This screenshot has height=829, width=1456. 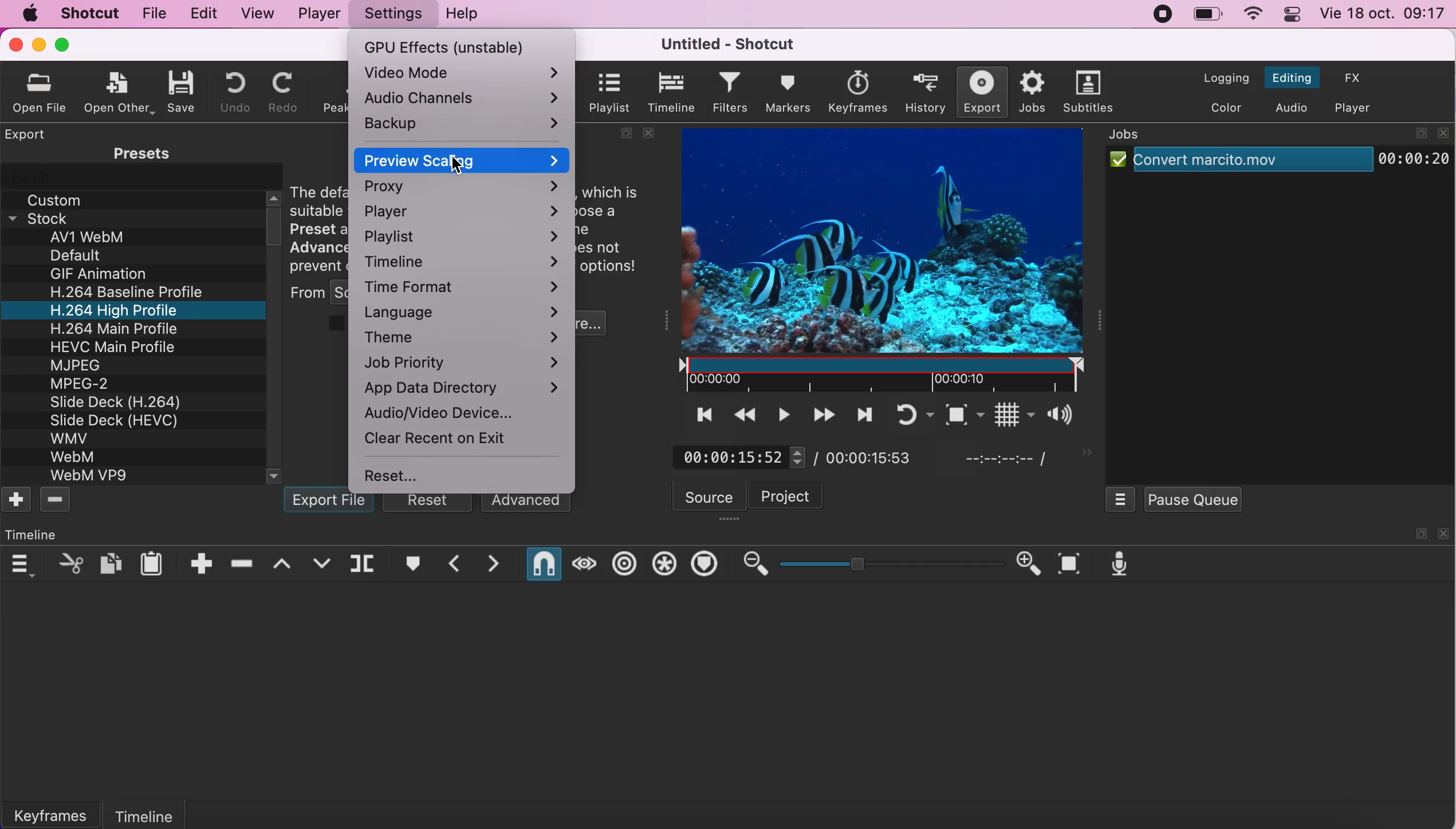 I want to click on previous marker, so click(x=451, y=564).